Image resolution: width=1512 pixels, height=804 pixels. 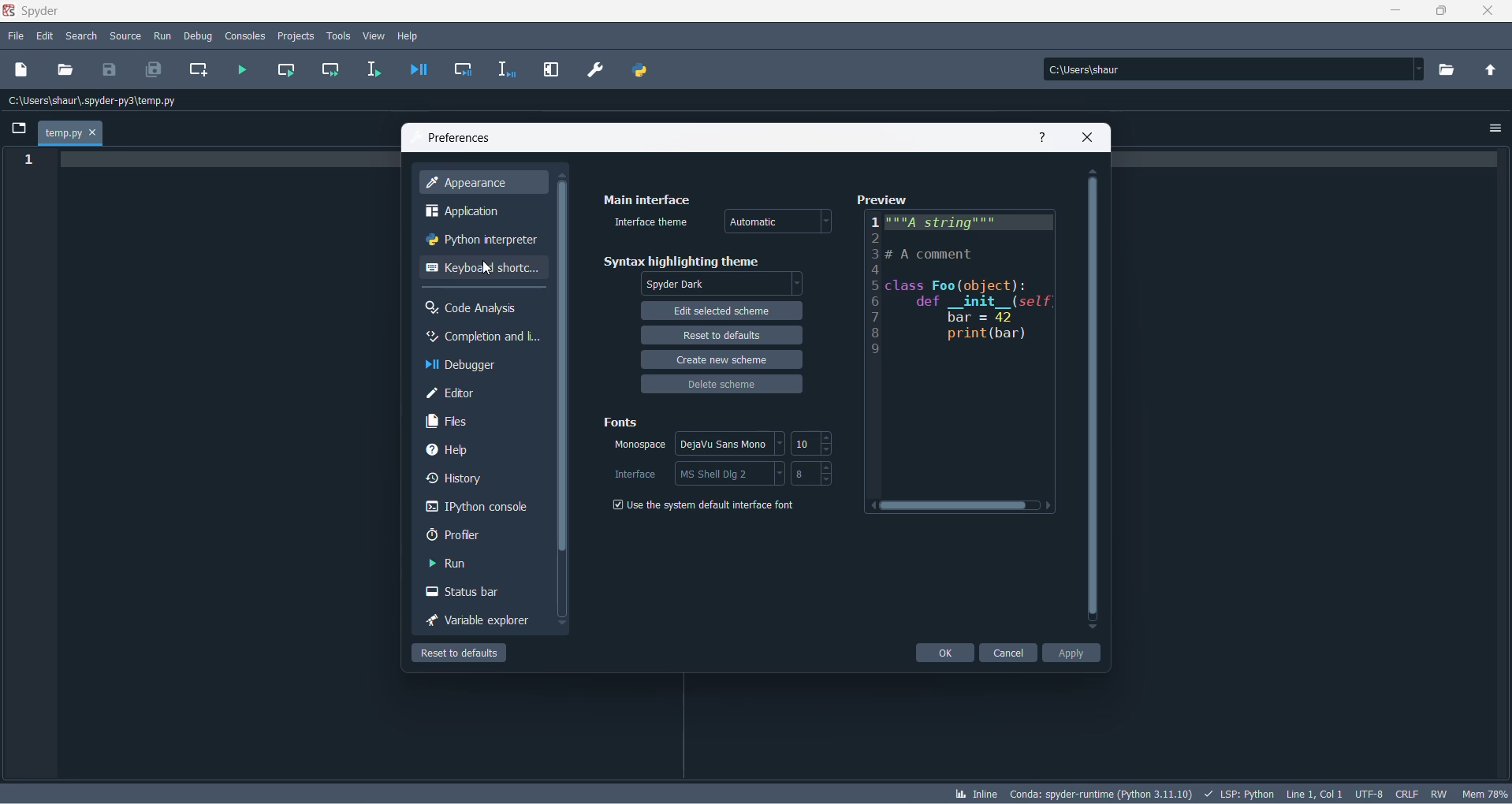 What do you see at coordinates (1094, 172) in the screenshot?
I see `move up` at bounding box center [1094, 172].